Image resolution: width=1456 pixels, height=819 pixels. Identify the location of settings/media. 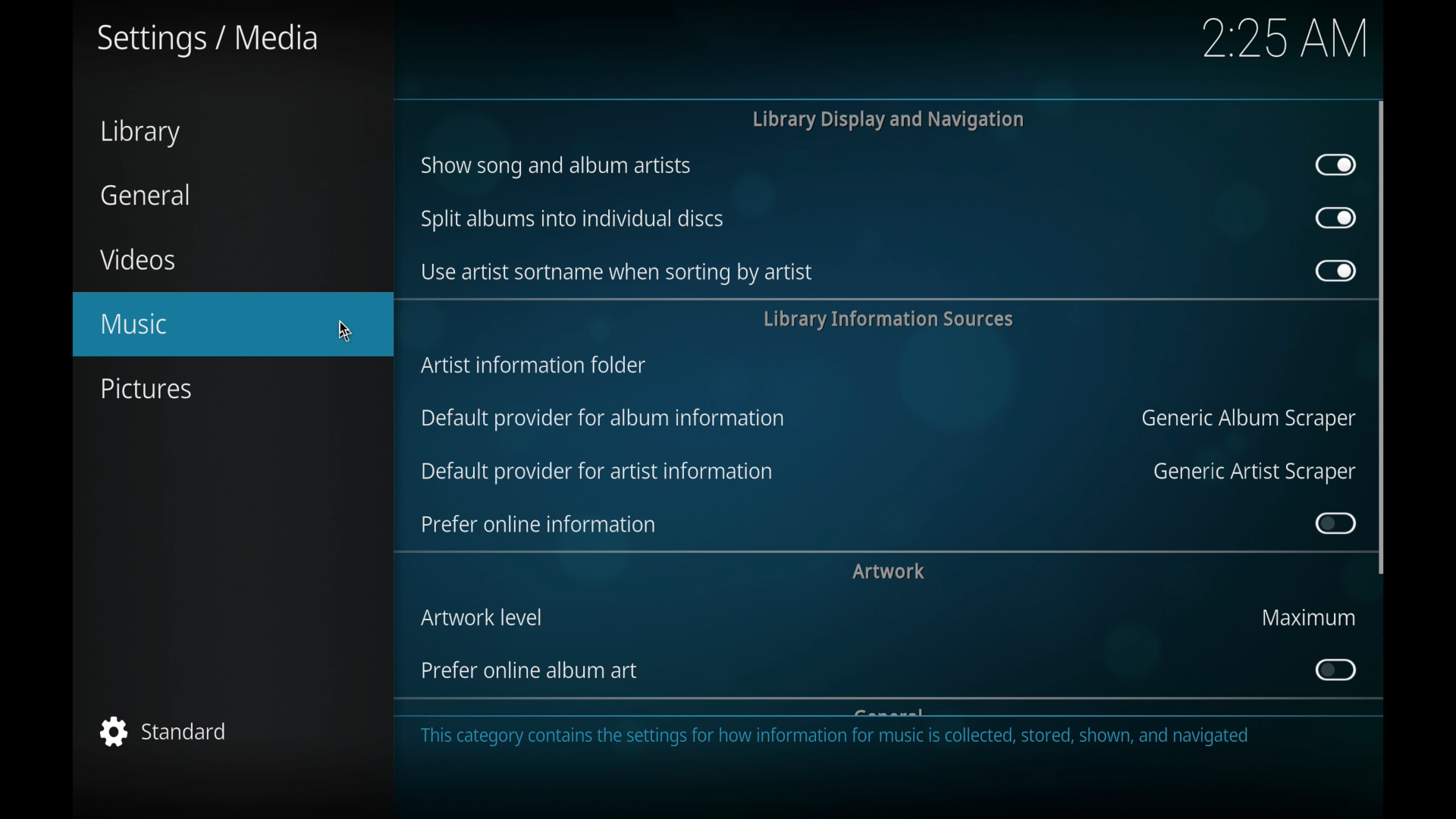
(209, 40).